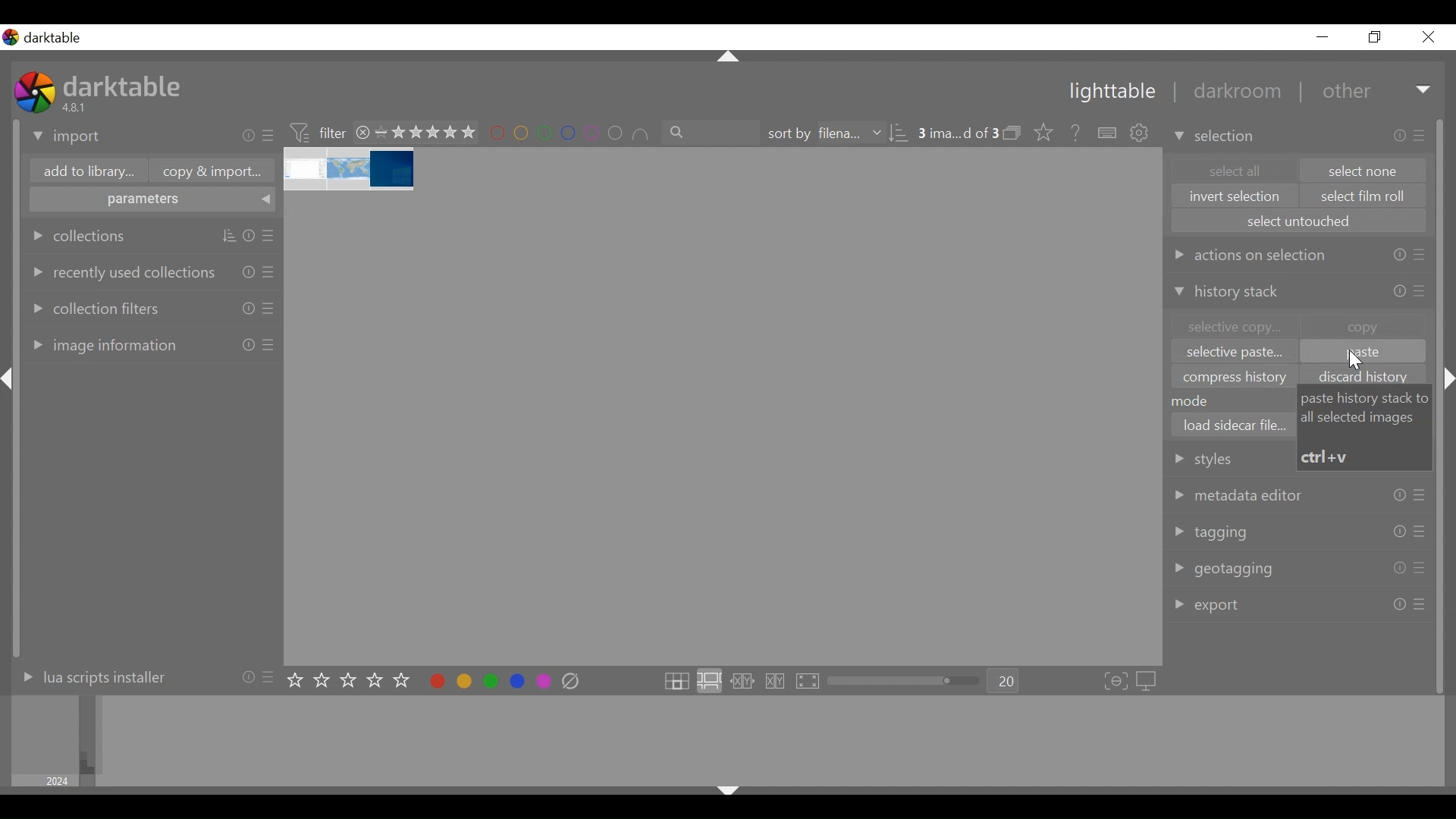 The image size is (1456, 819). Describe the element at coordinates (425, 133) in the screenshot. I see `range rating` at that location.